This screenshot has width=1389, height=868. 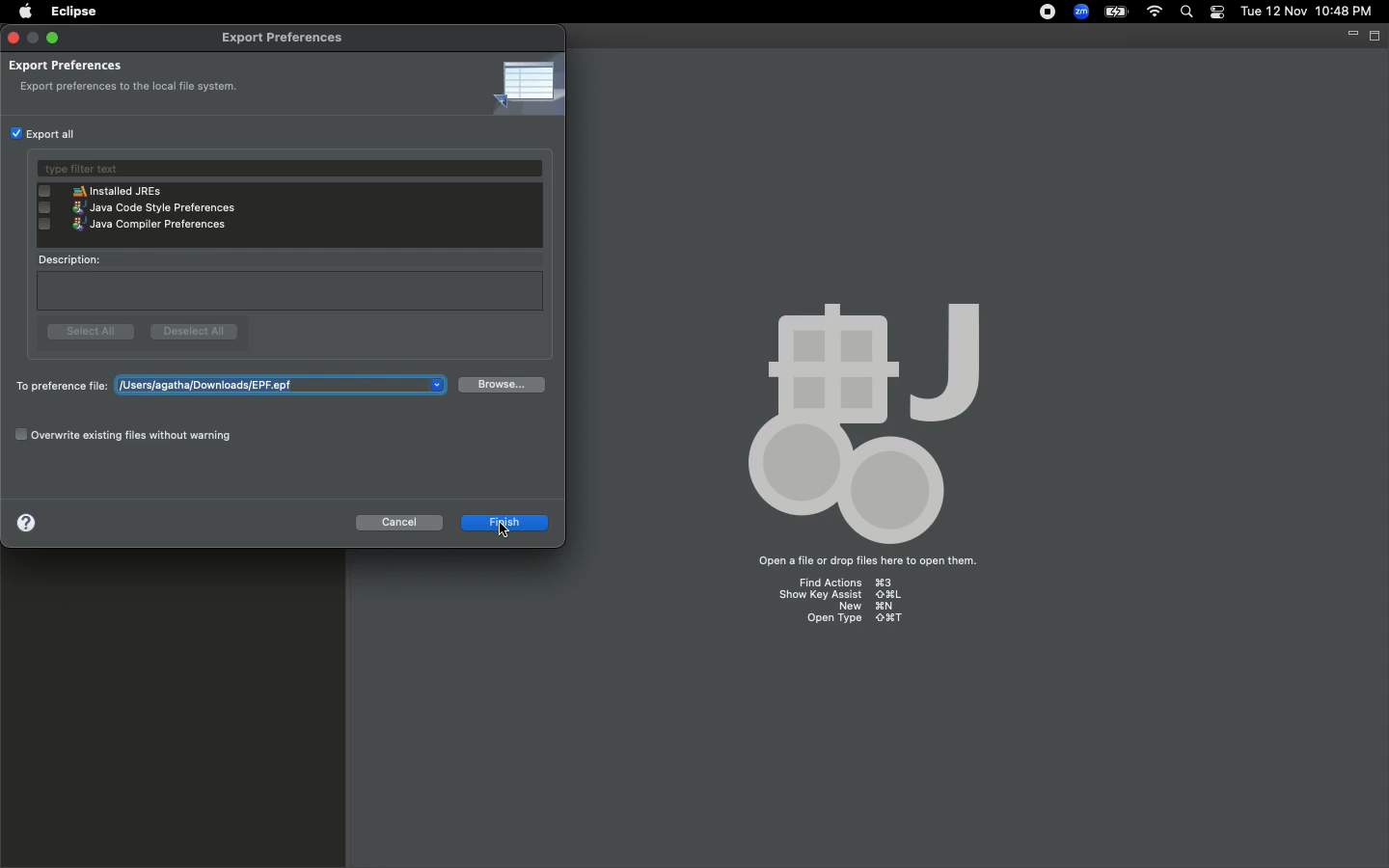 What do you see at coordinates (1080, 12) in the screenshot?
I see `Zoom` at bounding box center [1080, 12].